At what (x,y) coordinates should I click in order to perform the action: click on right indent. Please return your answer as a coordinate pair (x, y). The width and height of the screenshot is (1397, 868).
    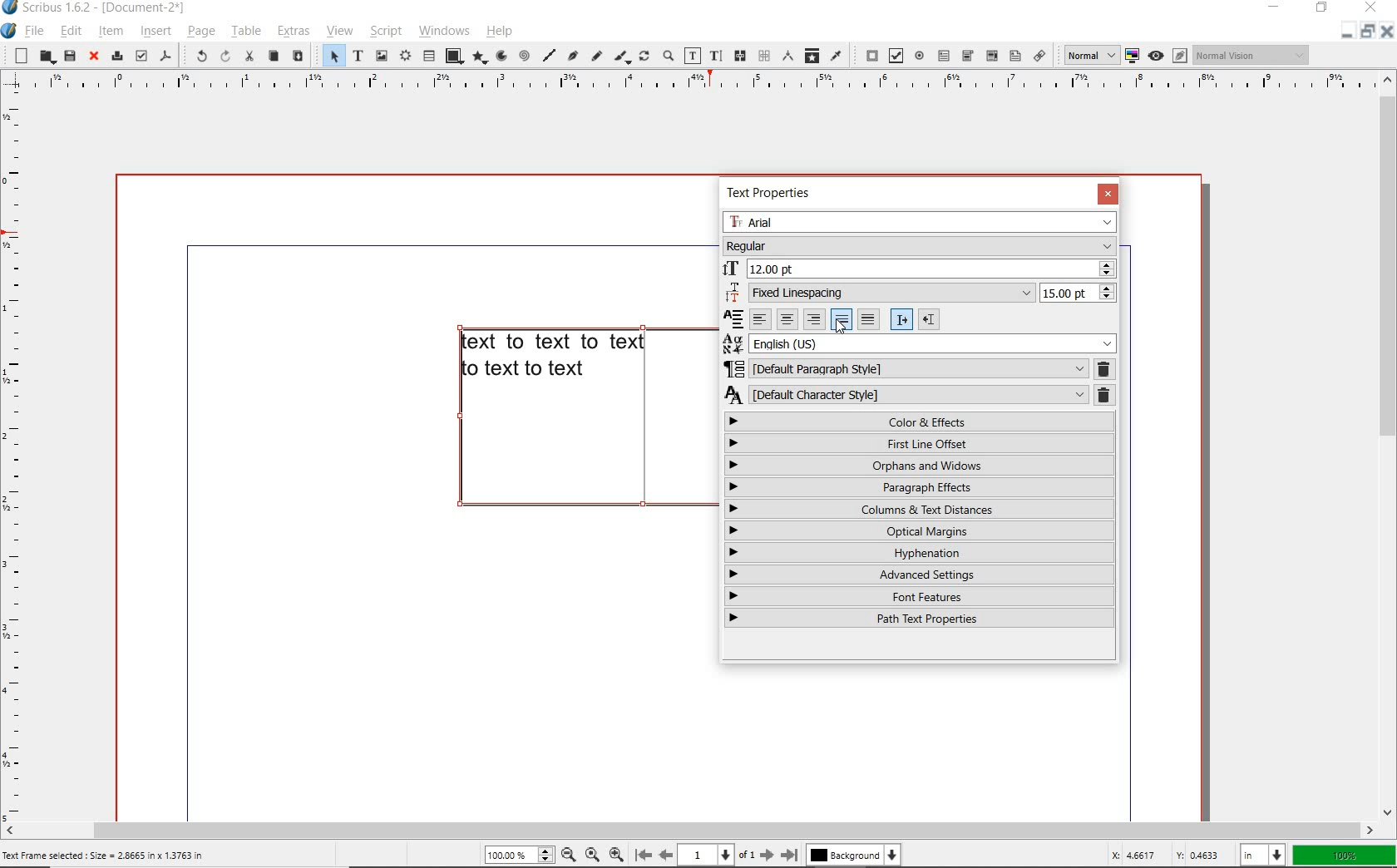
    Looking at the image, I should click on (928, 318).